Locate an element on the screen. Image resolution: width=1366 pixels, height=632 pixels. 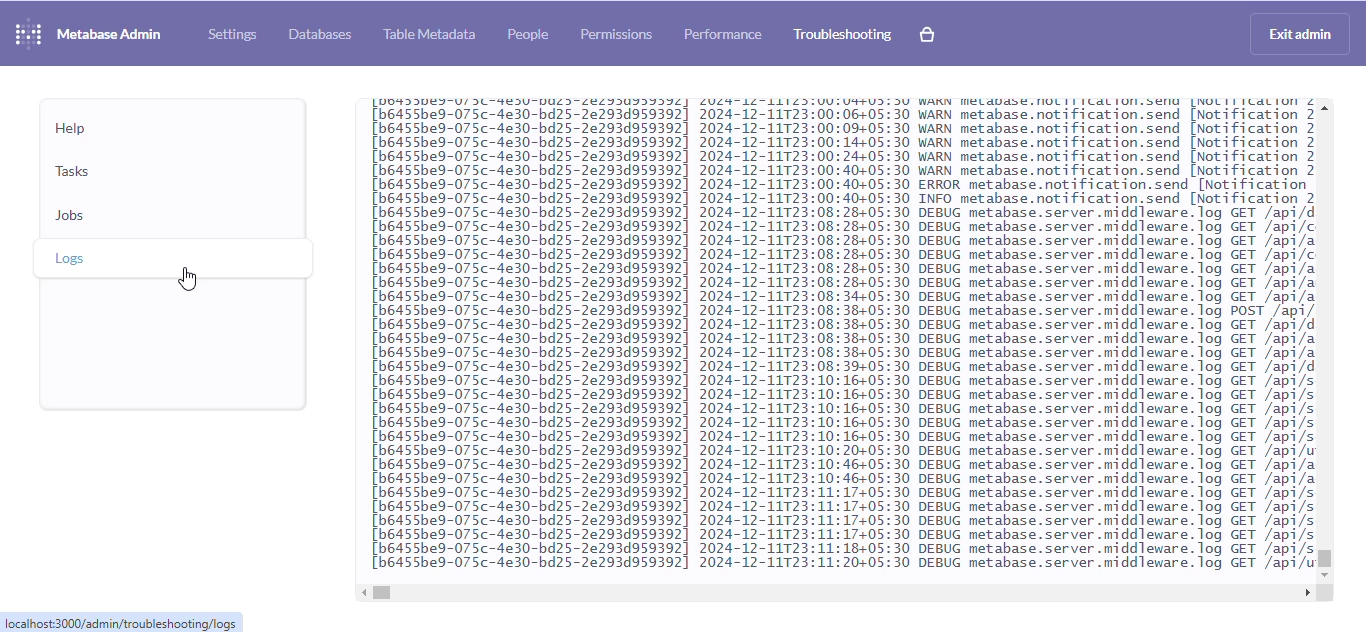
system logs is located at coordinates (835, 335).